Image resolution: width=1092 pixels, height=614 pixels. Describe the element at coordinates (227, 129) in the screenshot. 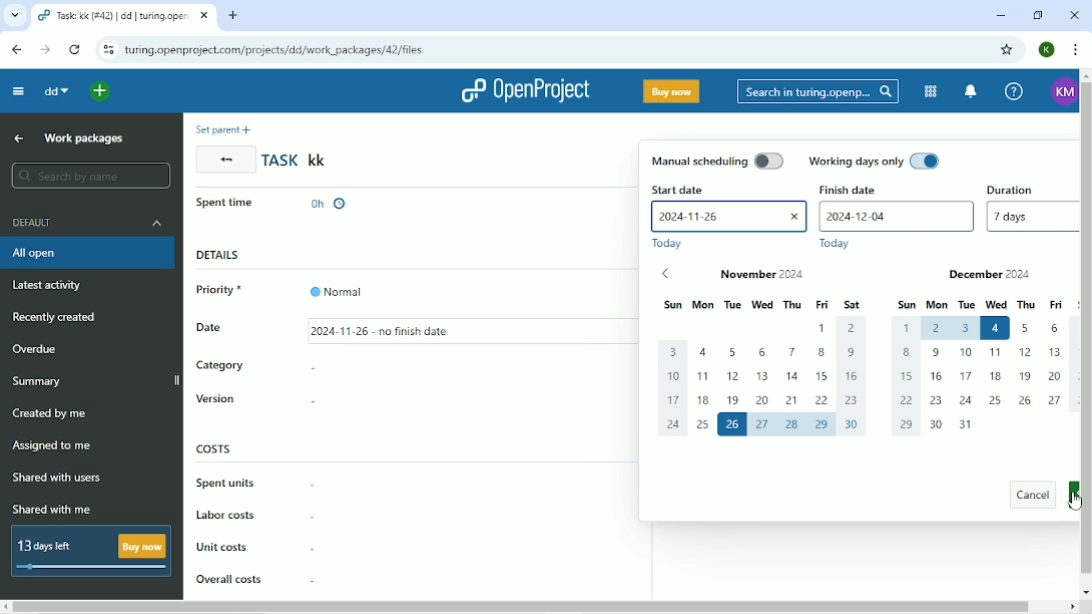

I see `Set parent` at that location.